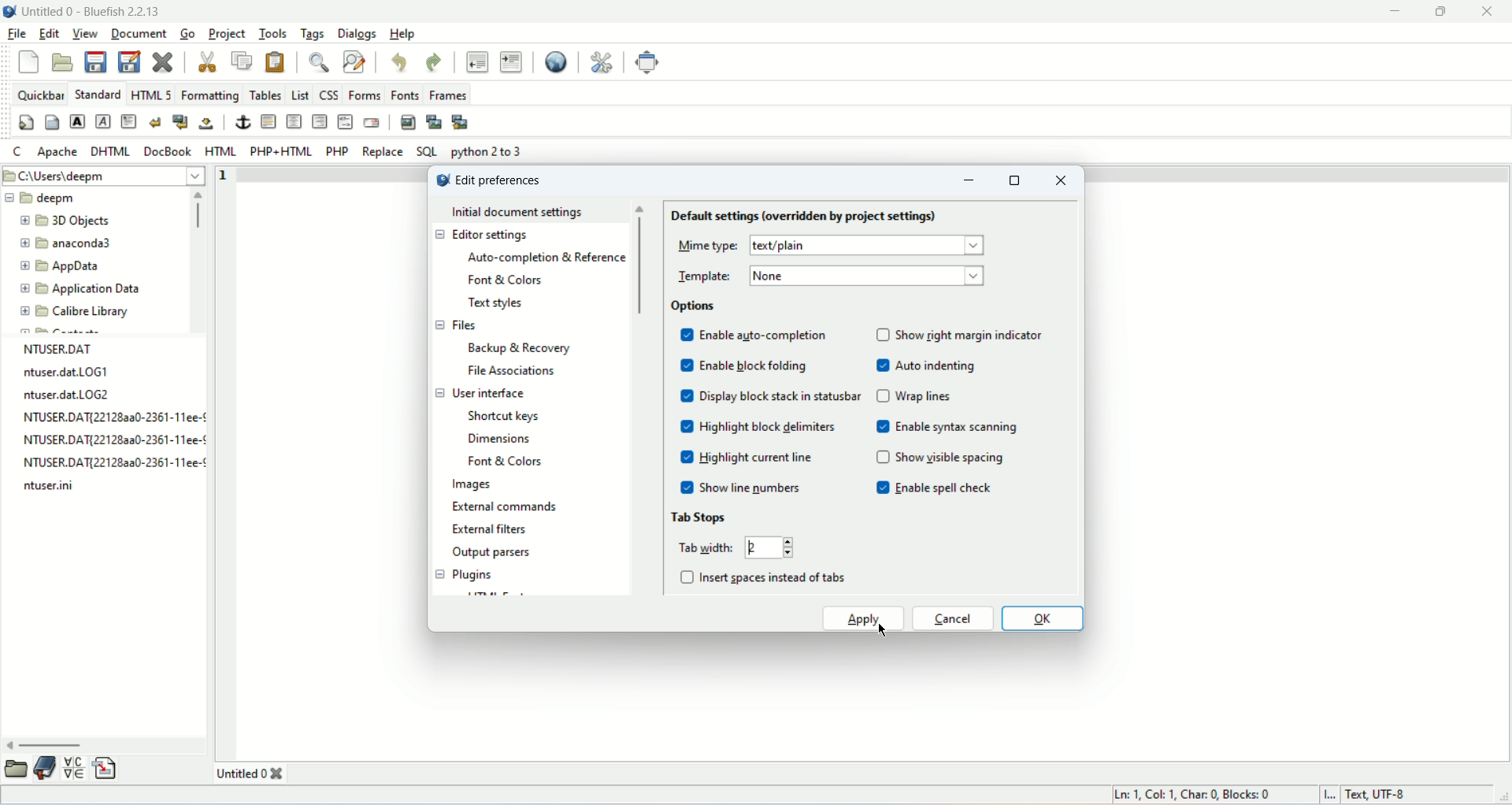  What do you see at coordinates (776, 579) in the screenshot?
I see `insert spaces instead of tabs` at bounding box center [776, 579].